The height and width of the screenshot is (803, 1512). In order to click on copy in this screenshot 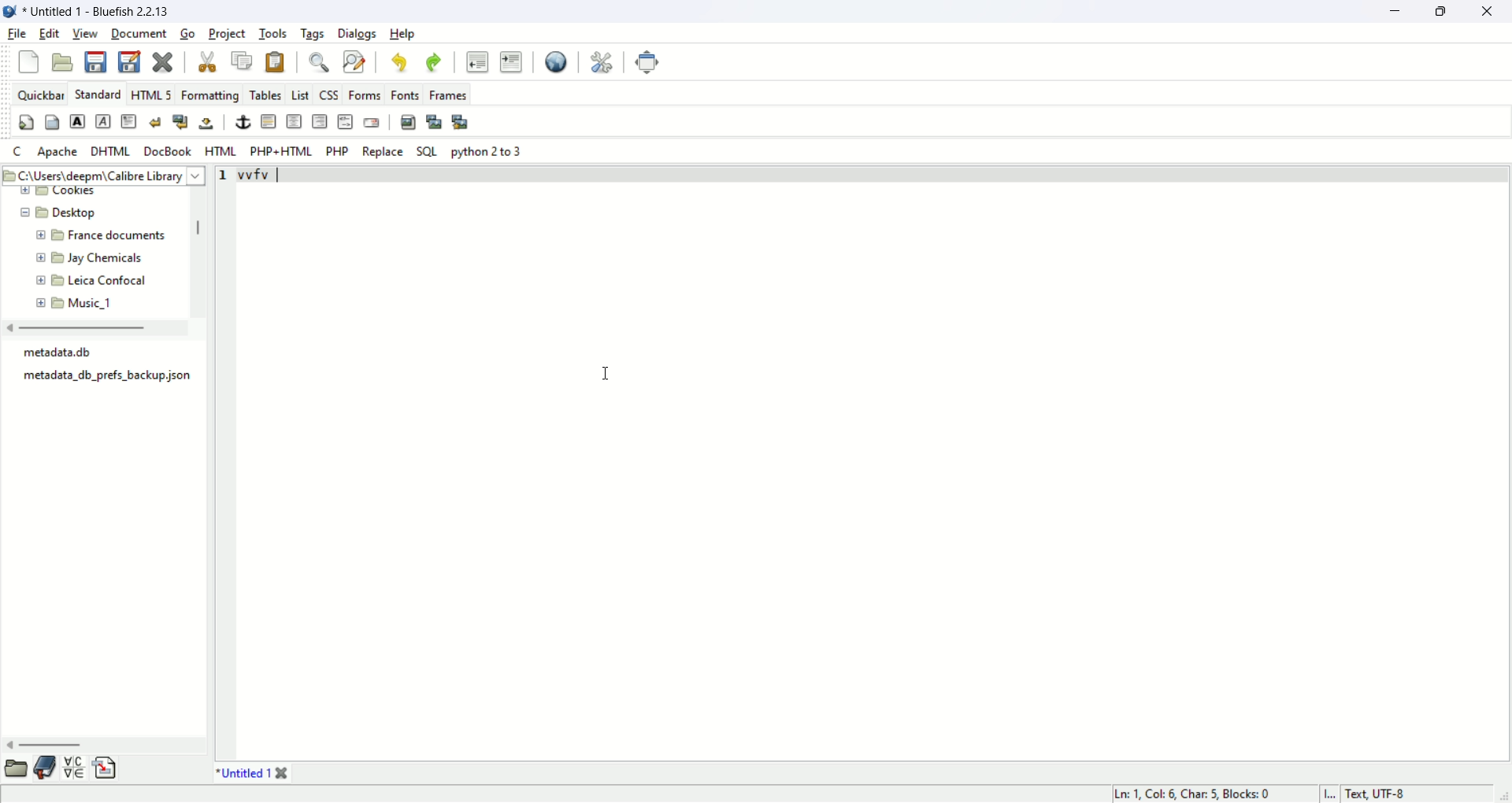, I will do `click(241, 61)`.